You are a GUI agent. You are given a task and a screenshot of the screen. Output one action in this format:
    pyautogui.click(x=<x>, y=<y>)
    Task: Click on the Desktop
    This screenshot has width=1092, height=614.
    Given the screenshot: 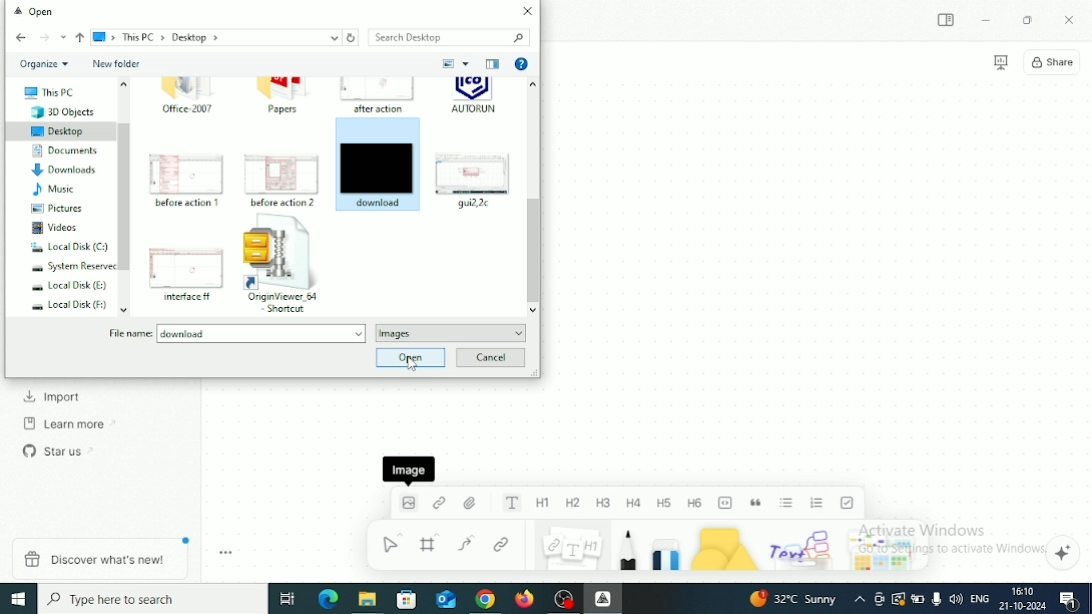 What is the action you would take?
    pyautogui.click(x=61, y=132)
    